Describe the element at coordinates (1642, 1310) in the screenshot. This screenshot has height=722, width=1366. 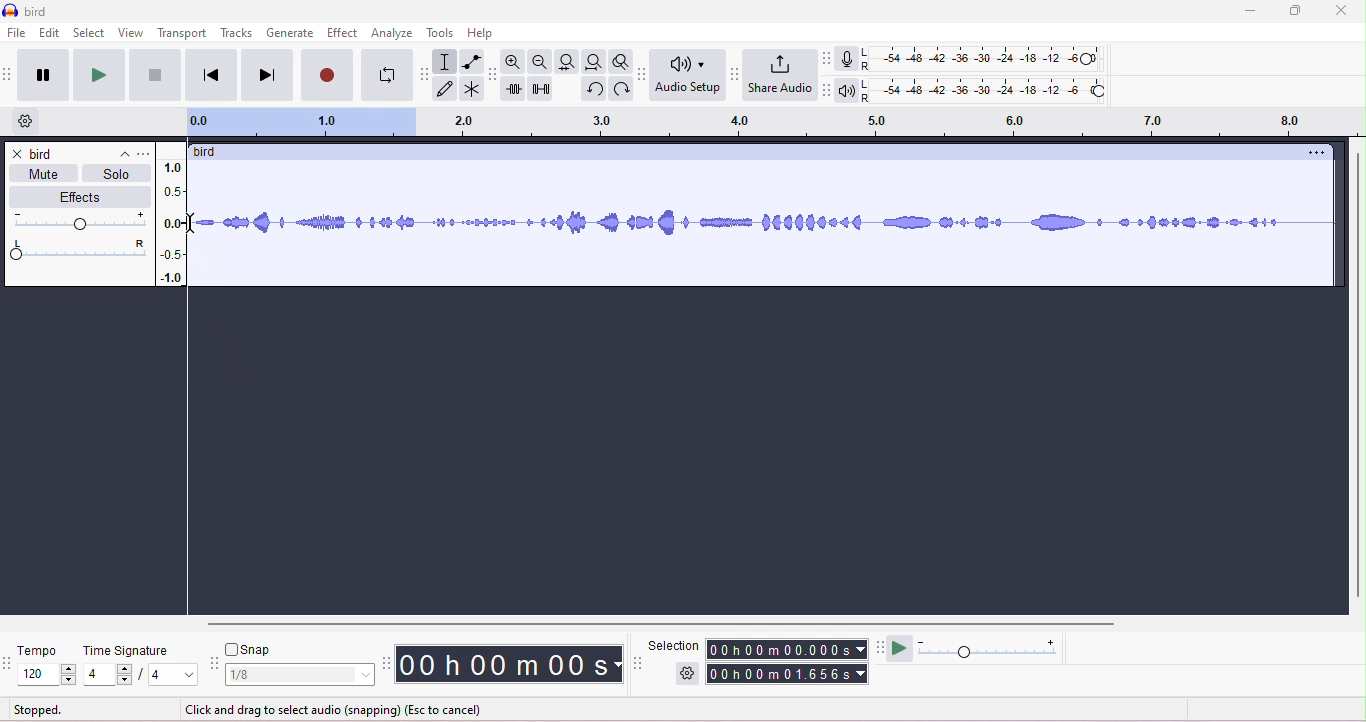
I see `selection time` at that location.